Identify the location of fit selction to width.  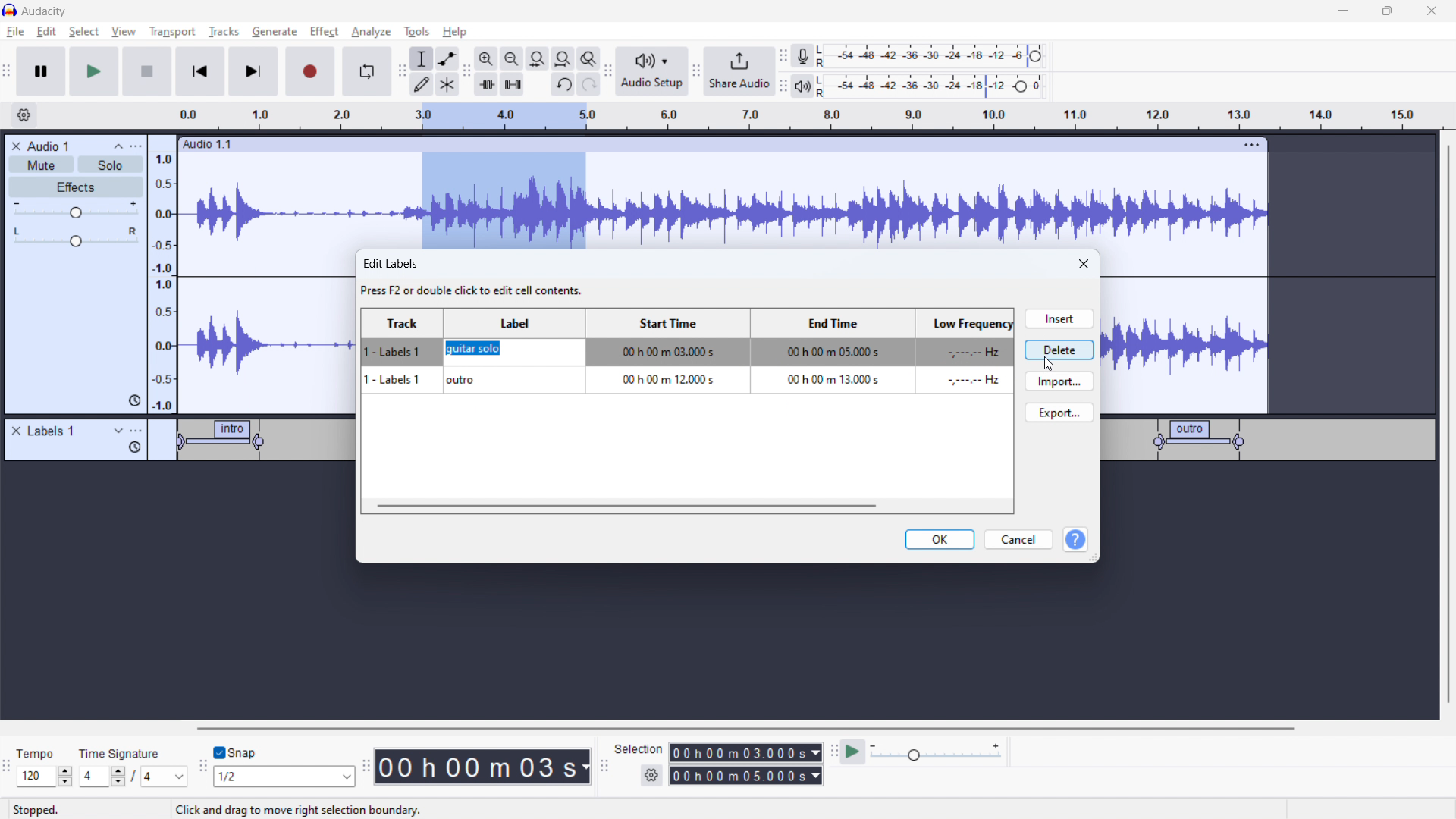
(538, 59).